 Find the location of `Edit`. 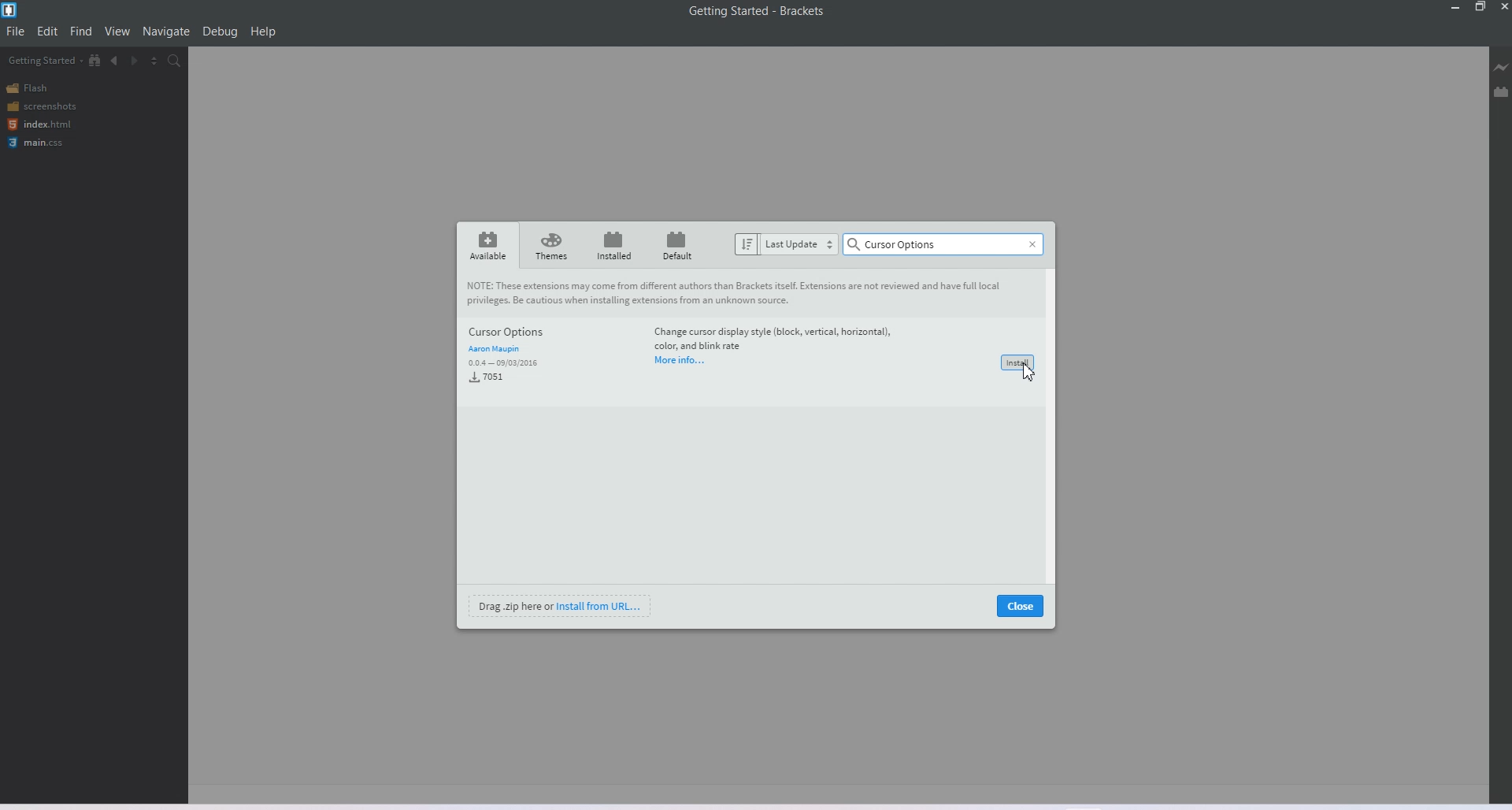

Edit is located at coordinates (47, 32).